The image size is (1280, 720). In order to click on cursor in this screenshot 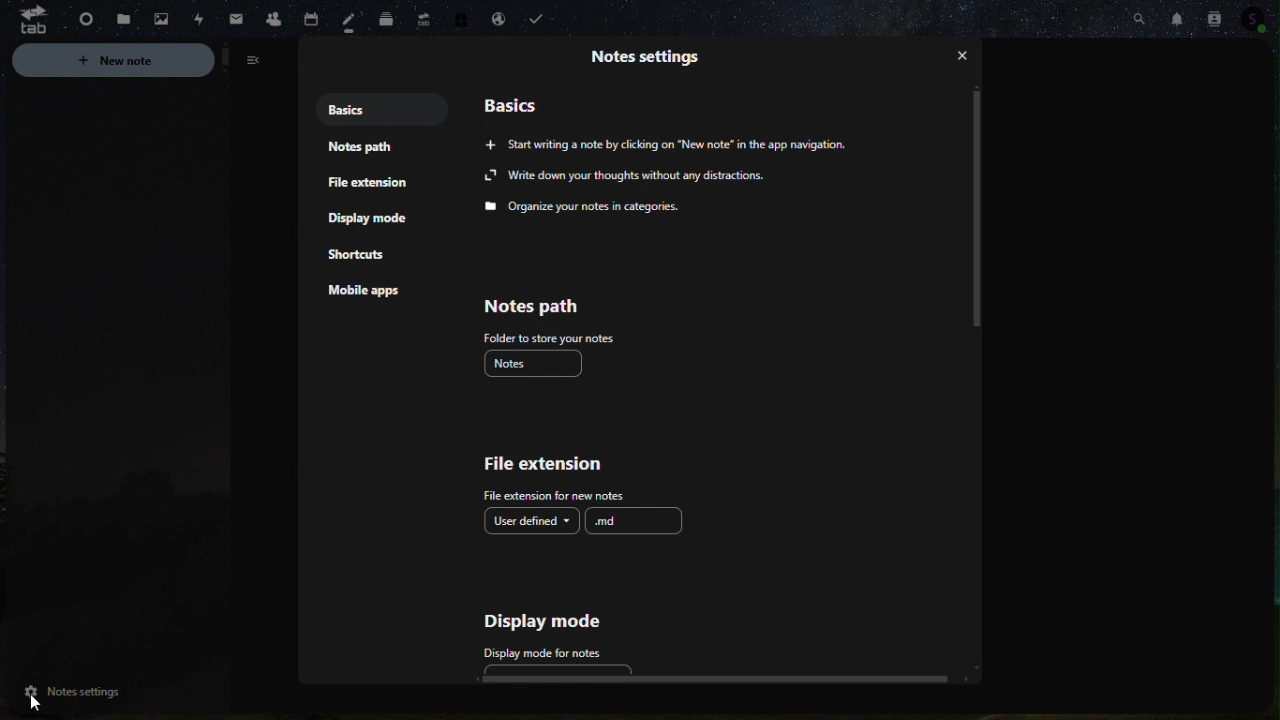, I will do `click(41, 697)`.